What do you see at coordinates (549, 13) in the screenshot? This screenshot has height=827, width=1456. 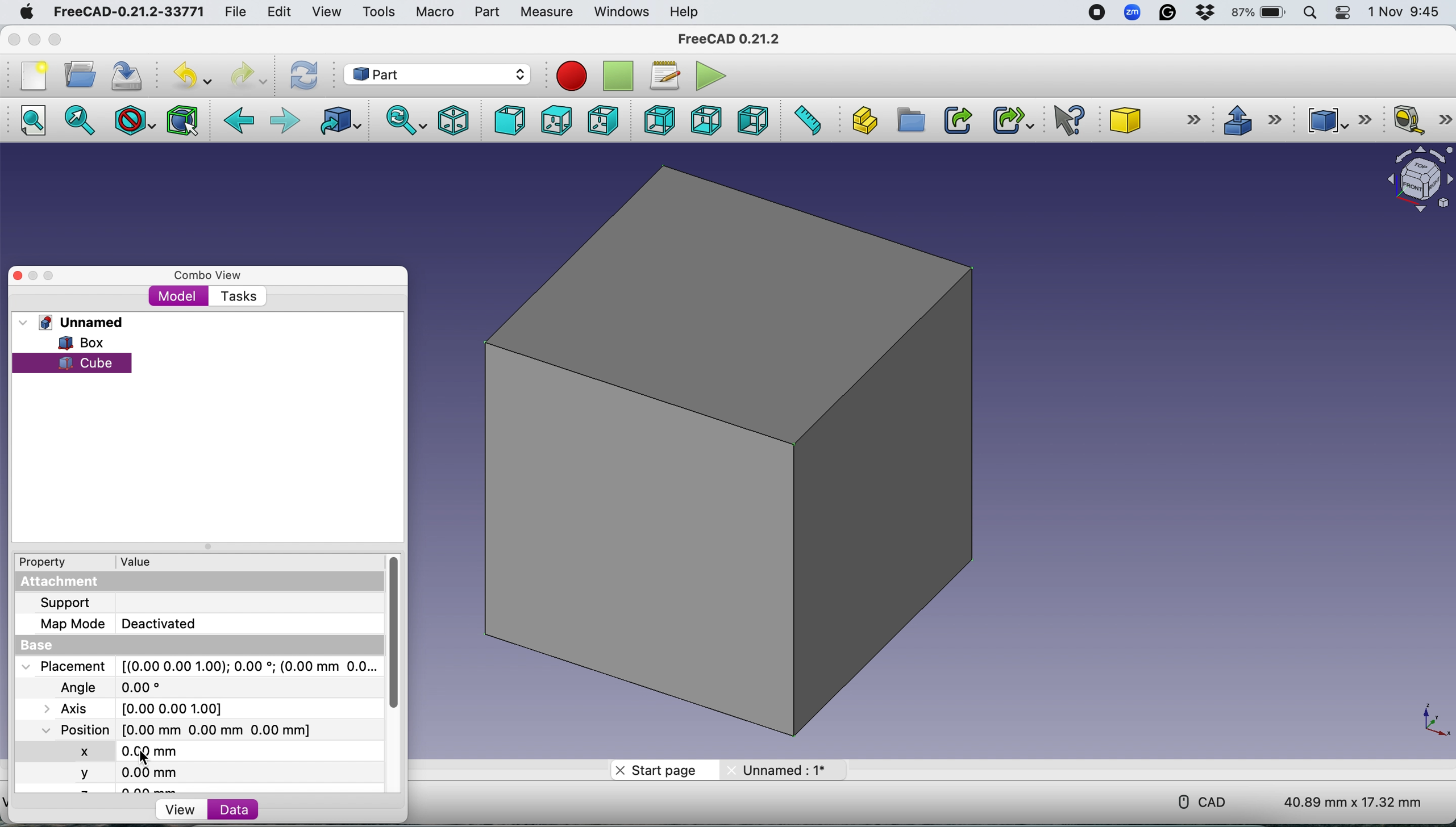 I see `Measure` at bounding box center [549, 13].